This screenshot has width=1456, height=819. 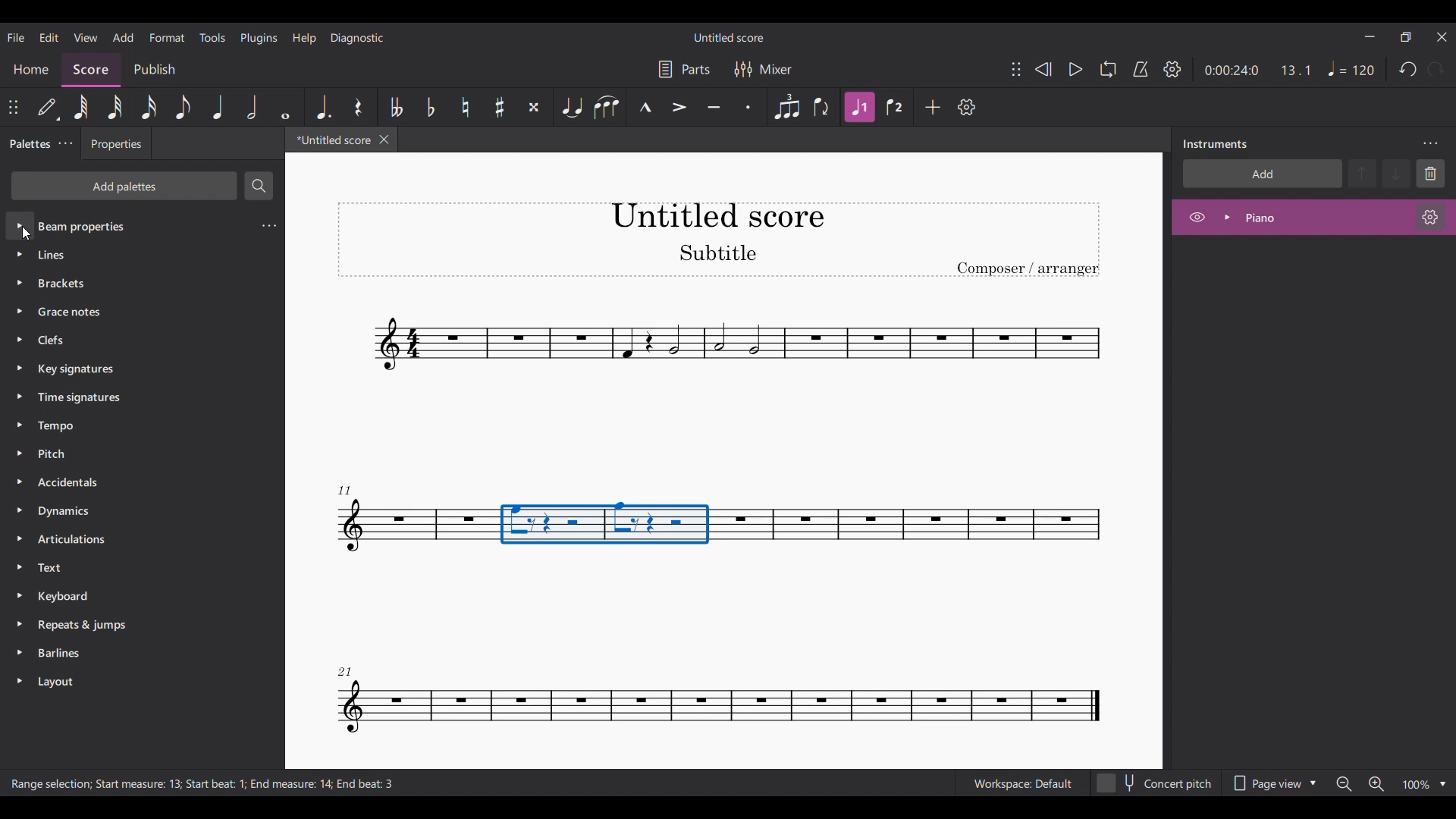 I want to click on Tie, so click(x=573, y=107).